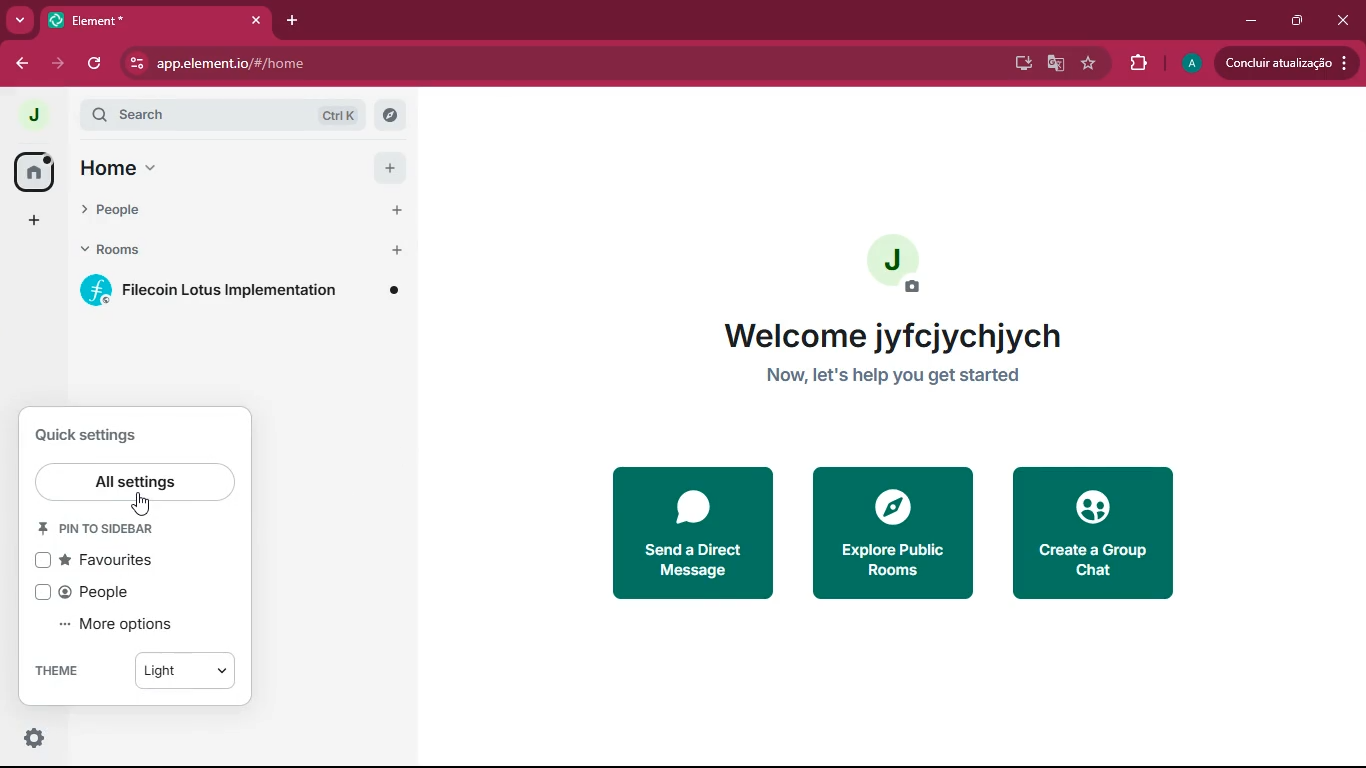 This screenshot has width=1366, height=768. What do you see at coordinates (1250, 22) in the screenshot?
I see `minimize` at bounding box center [1250, 22].